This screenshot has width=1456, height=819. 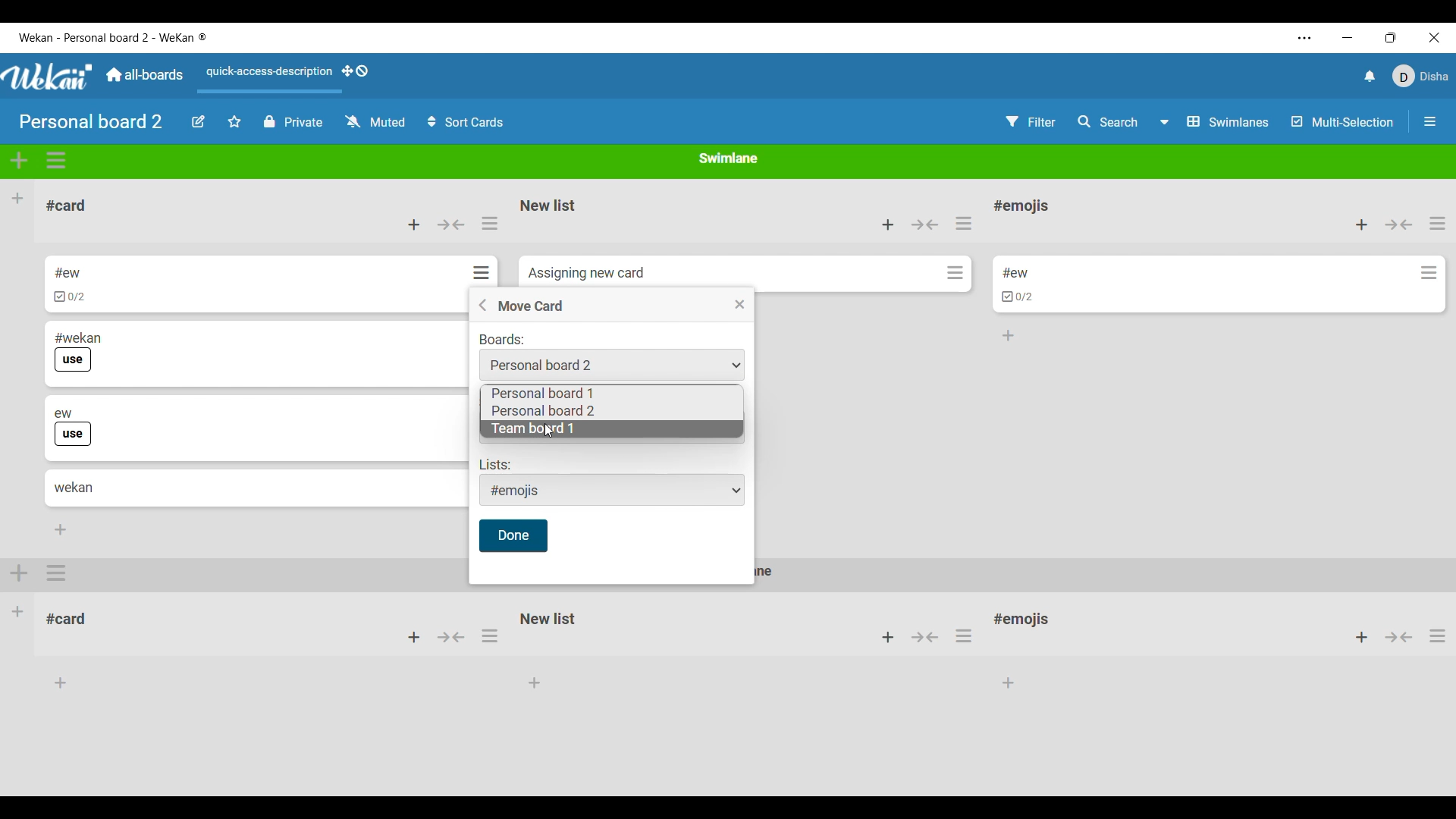 I want to click on Card title and checklist, so click(x=69, y=284).